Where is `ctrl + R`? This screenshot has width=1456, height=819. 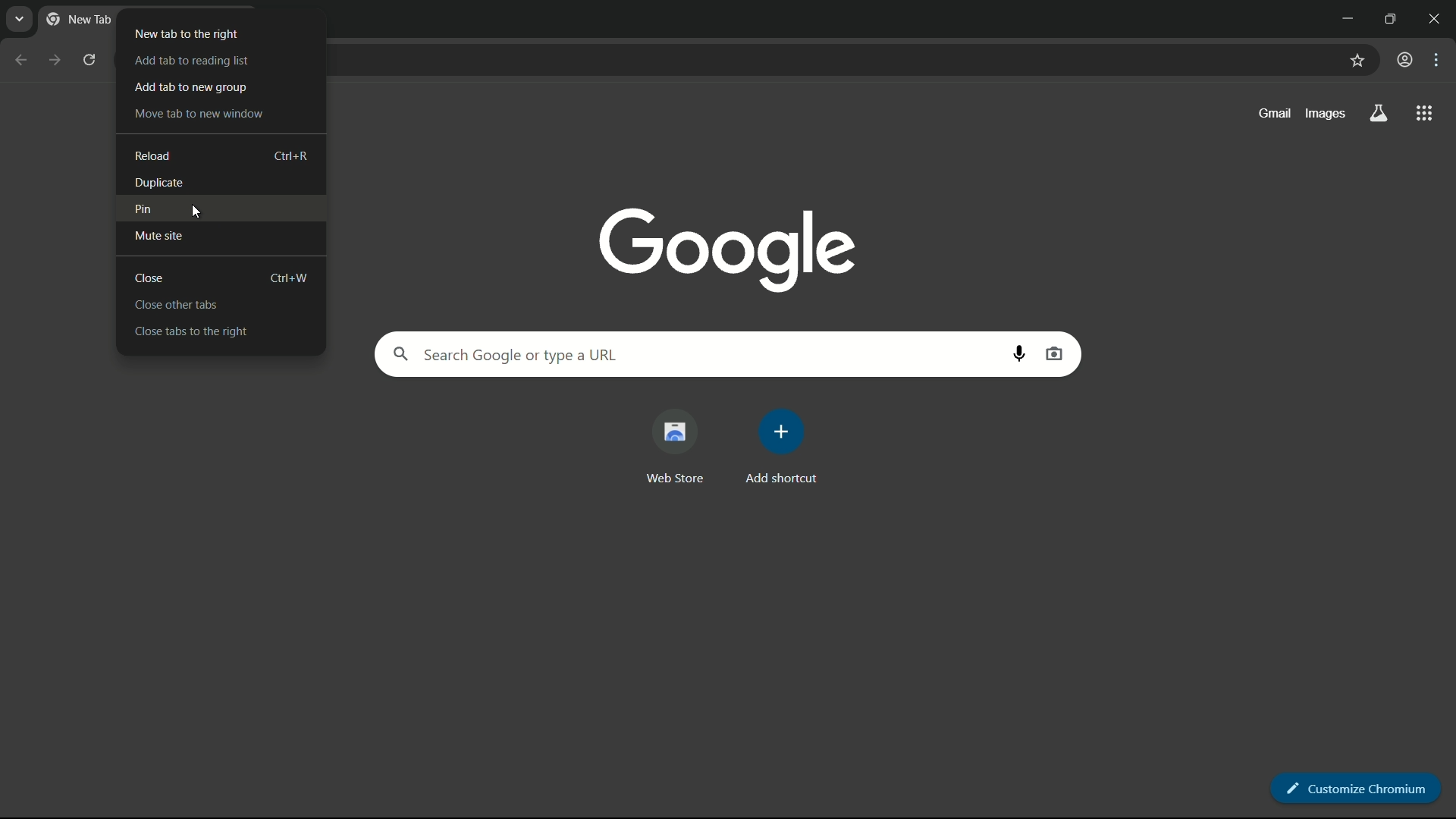
ctrl + R is located at coordinates (292, 157).